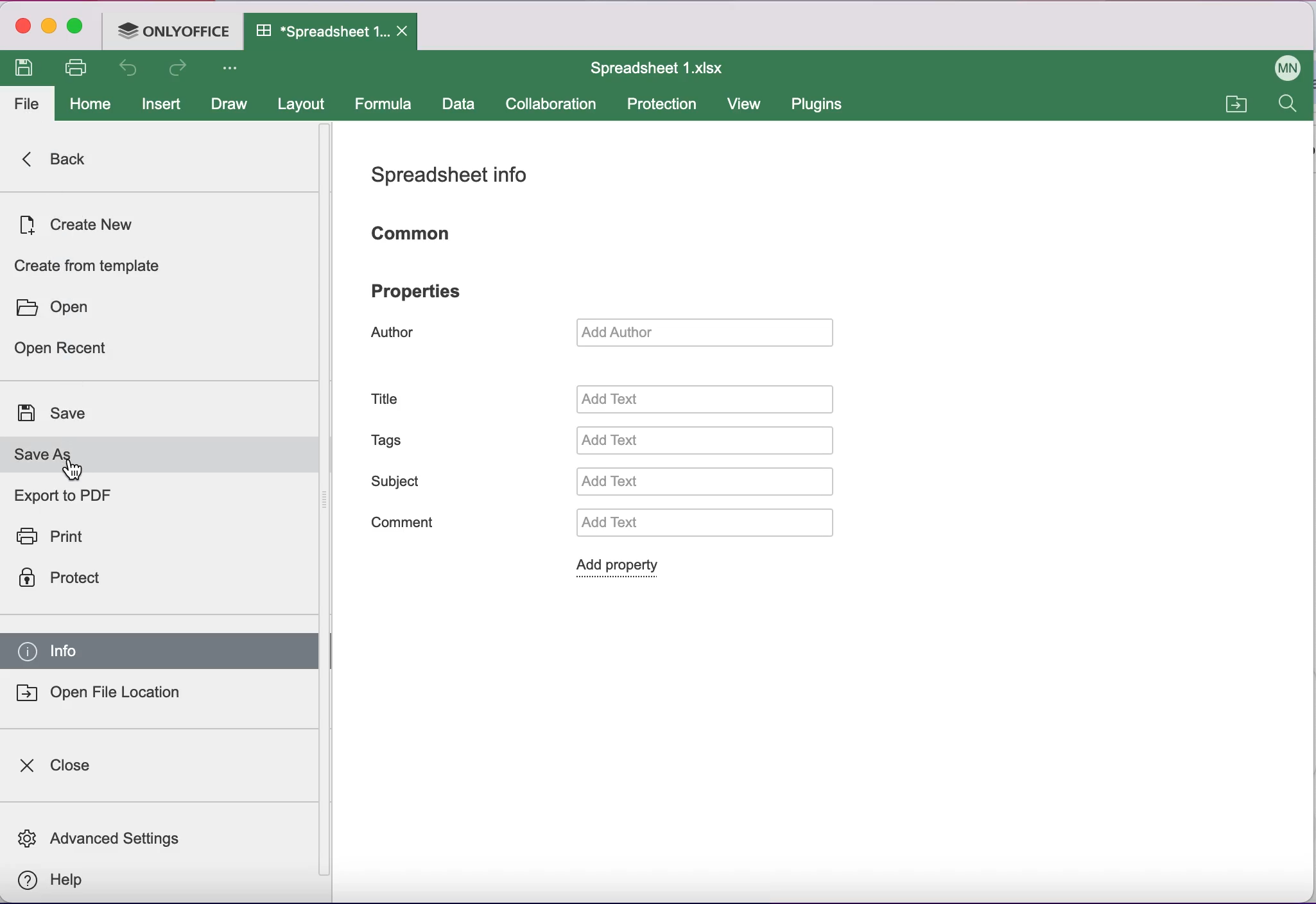 The image size is (1316, 904). What do you see at coordinates (427, 233) in the screenshot?
I see `common` at bounding box center [427, 233].